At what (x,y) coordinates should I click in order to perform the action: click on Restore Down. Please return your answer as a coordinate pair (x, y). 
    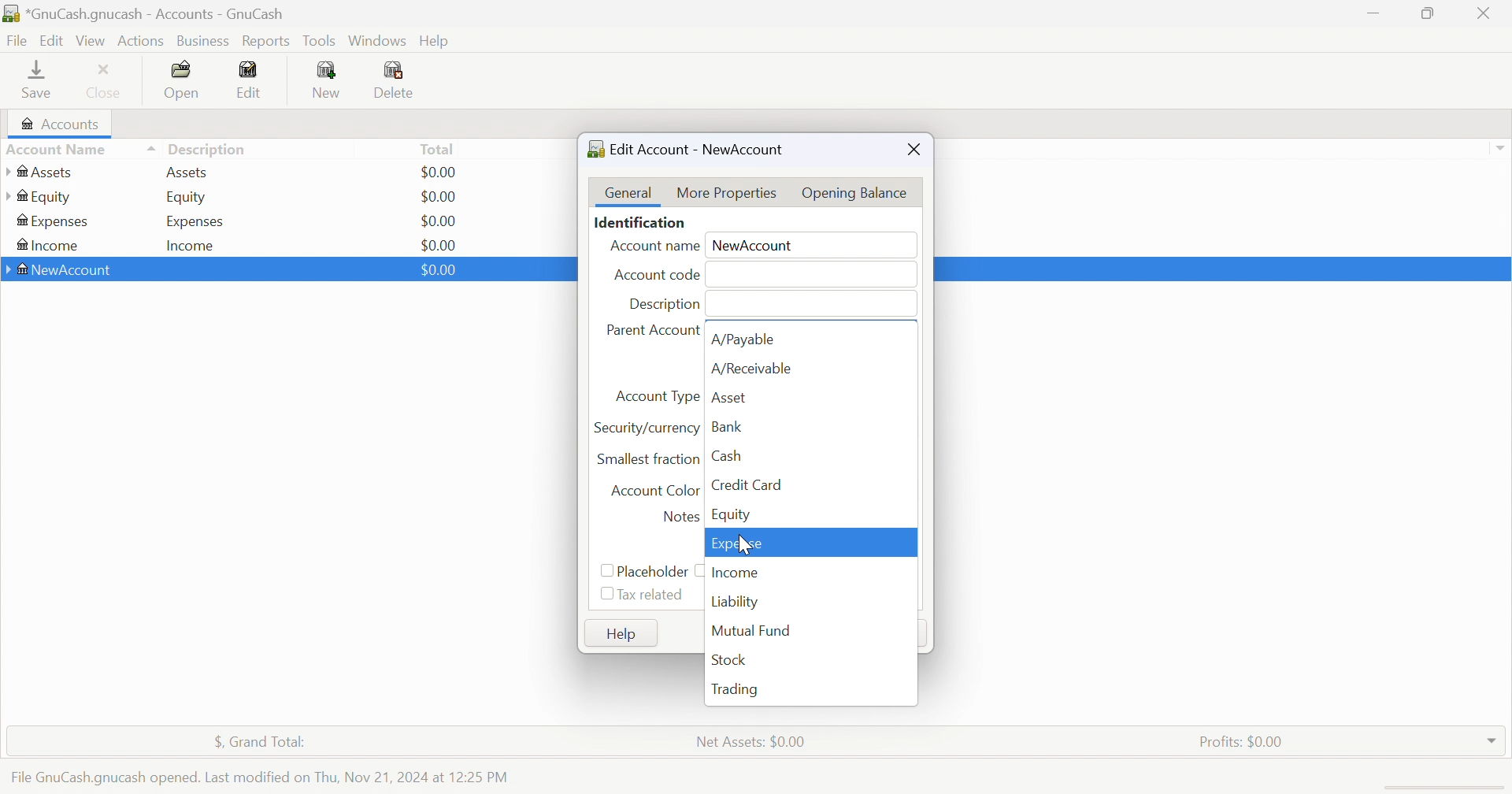
    Looking at the image, I should click on (1430, 12).